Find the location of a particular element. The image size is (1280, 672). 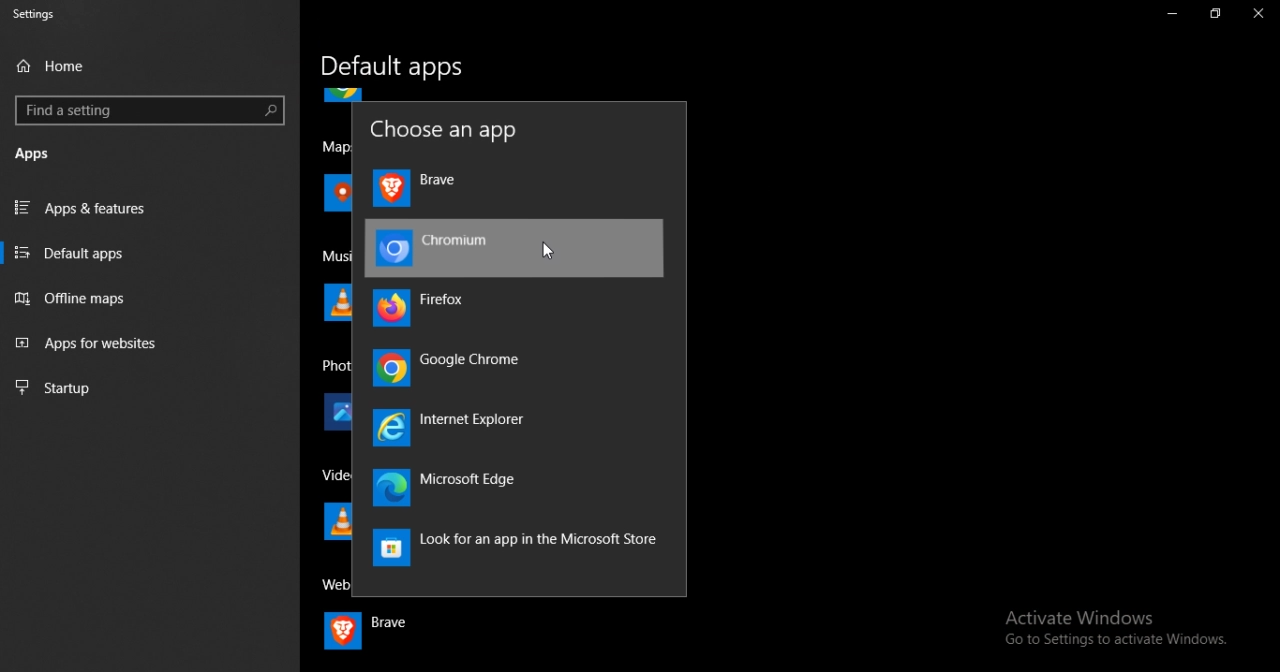

text is located at coordinates (511, 549).